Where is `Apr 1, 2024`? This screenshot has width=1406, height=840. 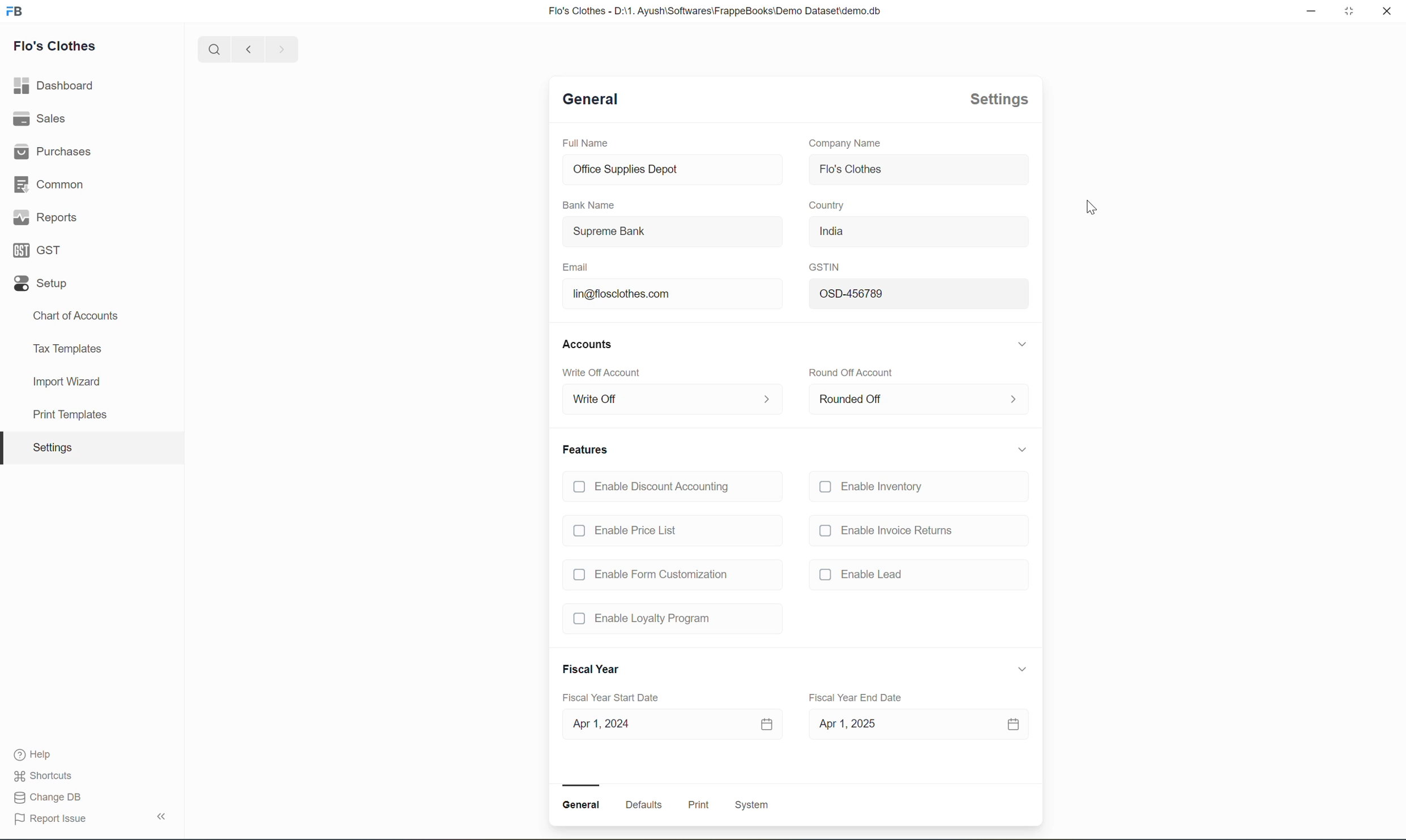
Apr 1, 2024 is located at coordinates (653, 725).